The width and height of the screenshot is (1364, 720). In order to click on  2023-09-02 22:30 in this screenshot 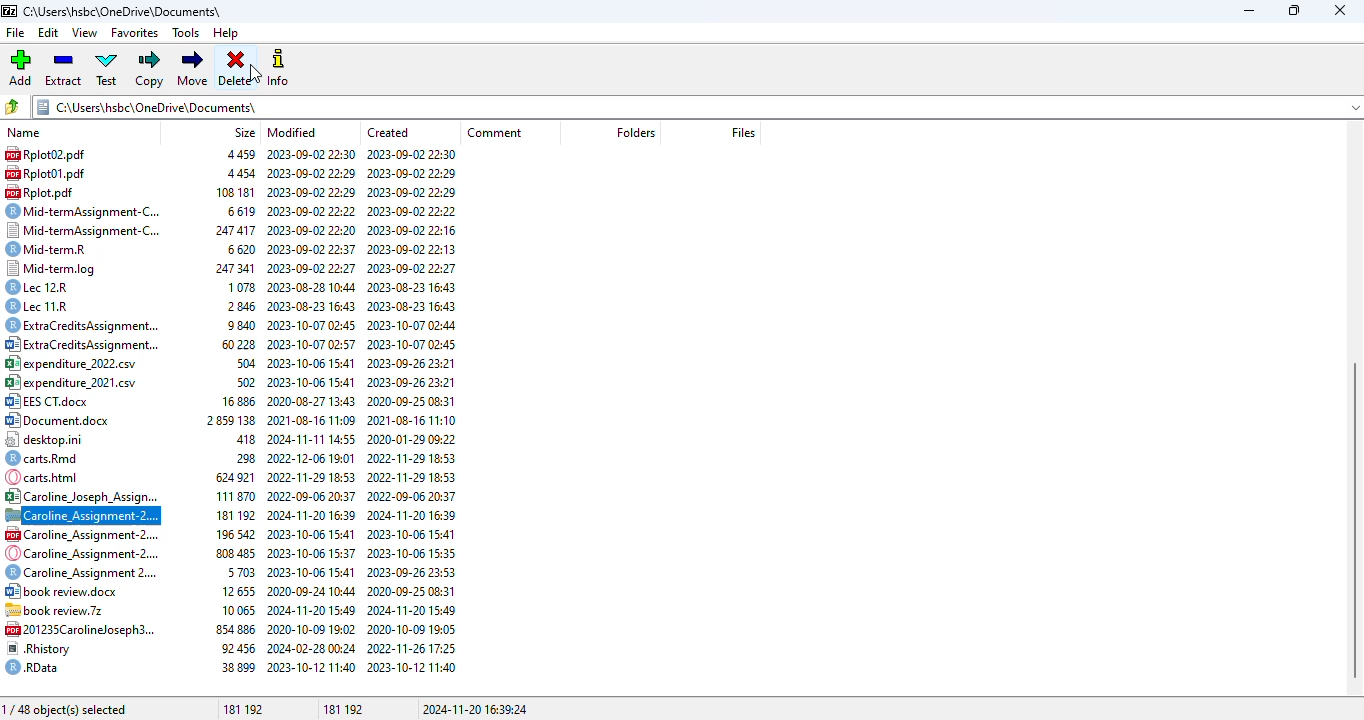, I will do `click(413, 154)`.